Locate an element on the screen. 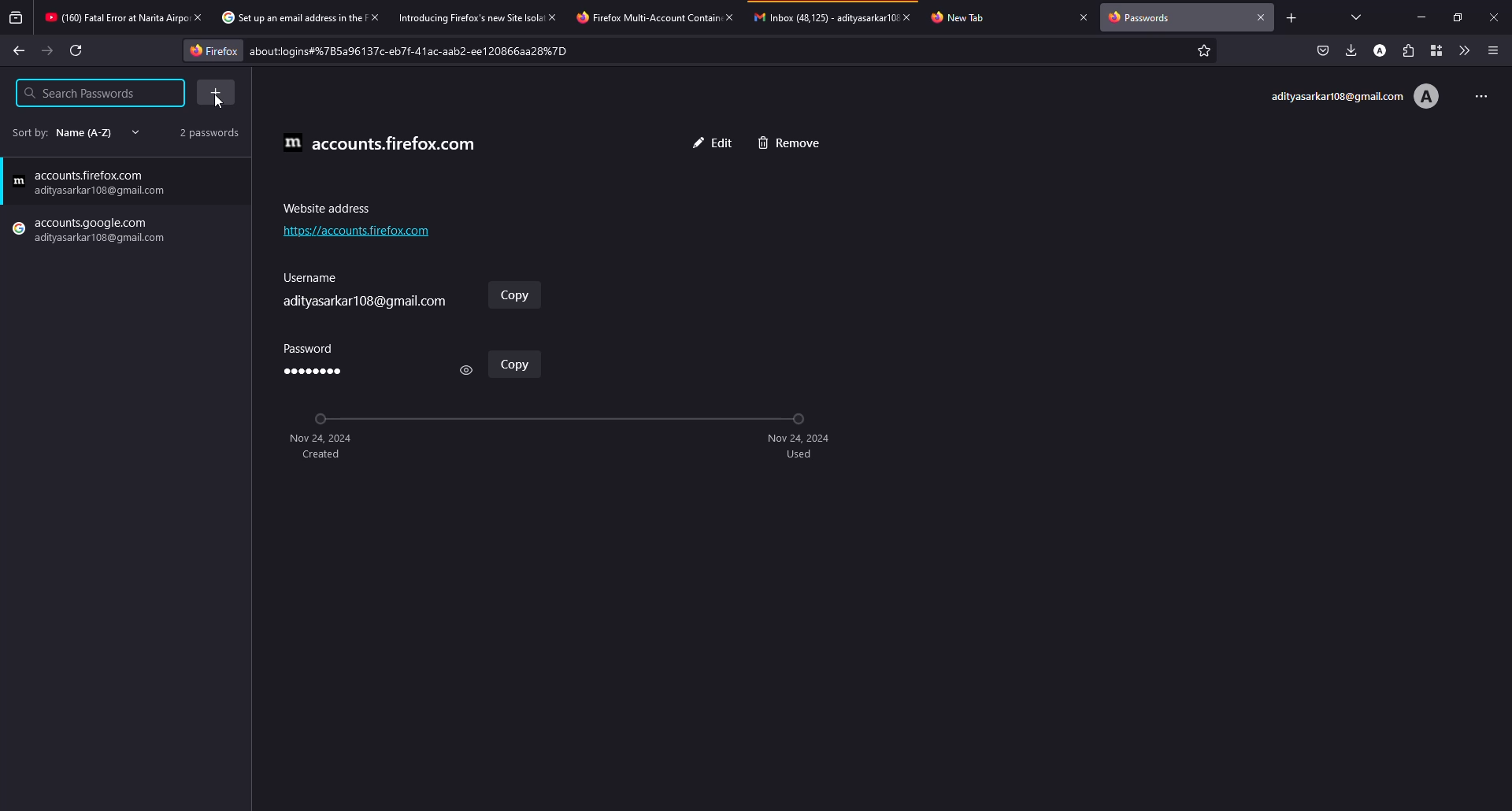 This screenshot has height=811, width=1512. google is located at coordinates (92, 231).